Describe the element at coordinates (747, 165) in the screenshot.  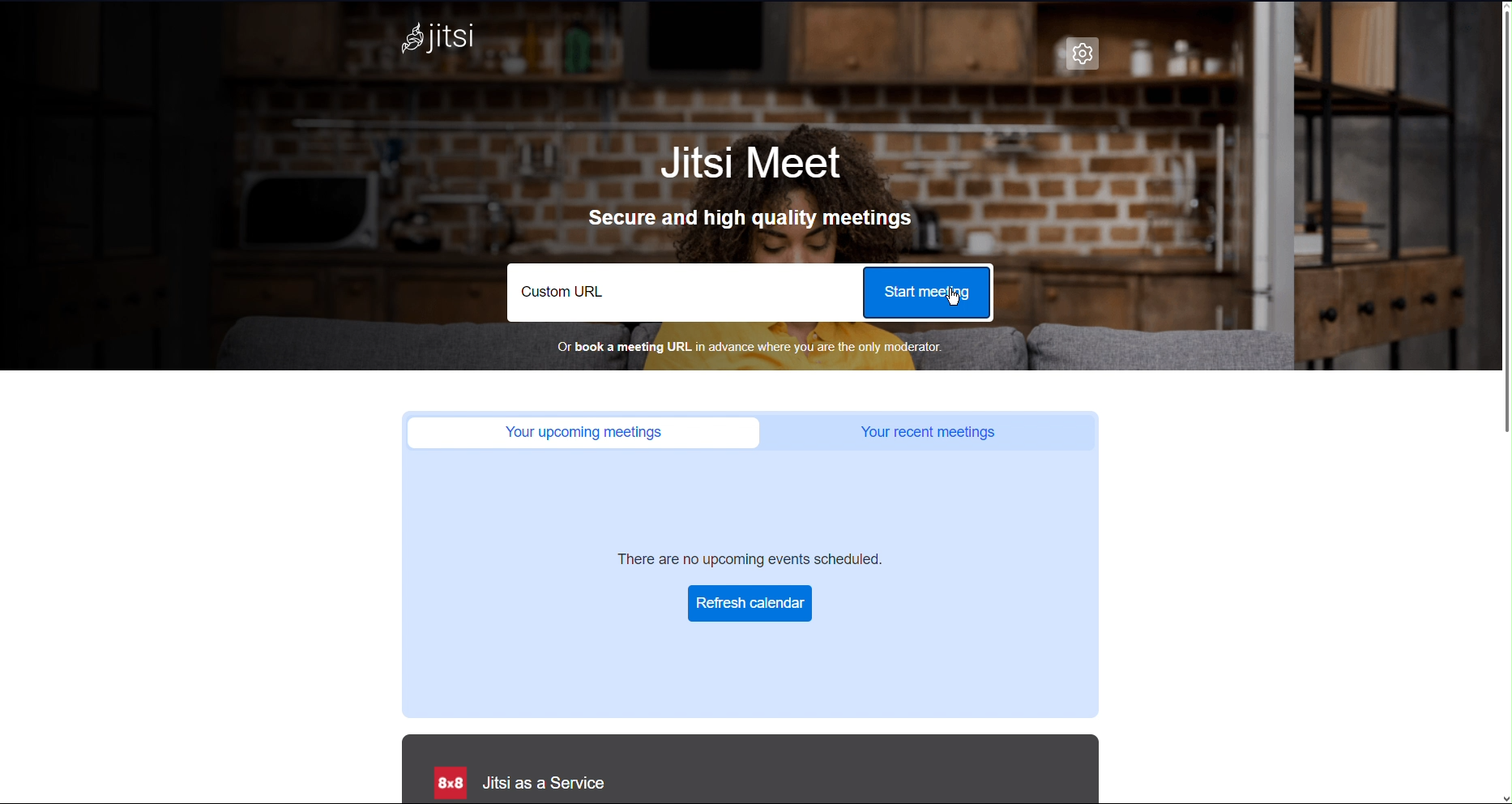
I see `Jitsi Meet` at that location.